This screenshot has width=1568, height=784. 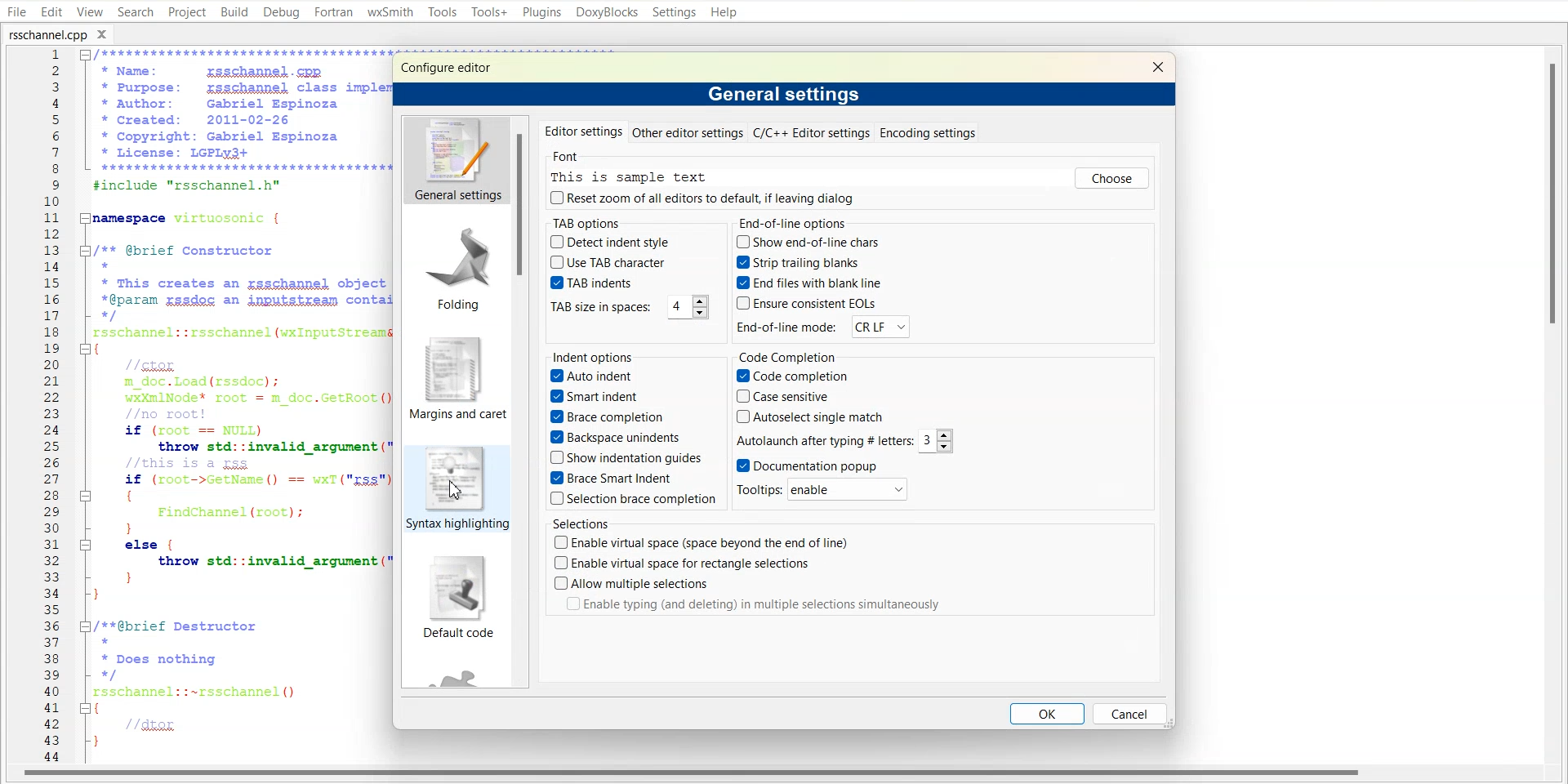 What do you see at coordinates (796, 262) in the screenshot?
I see `String trailing blank` at bounding box center [796, 262].